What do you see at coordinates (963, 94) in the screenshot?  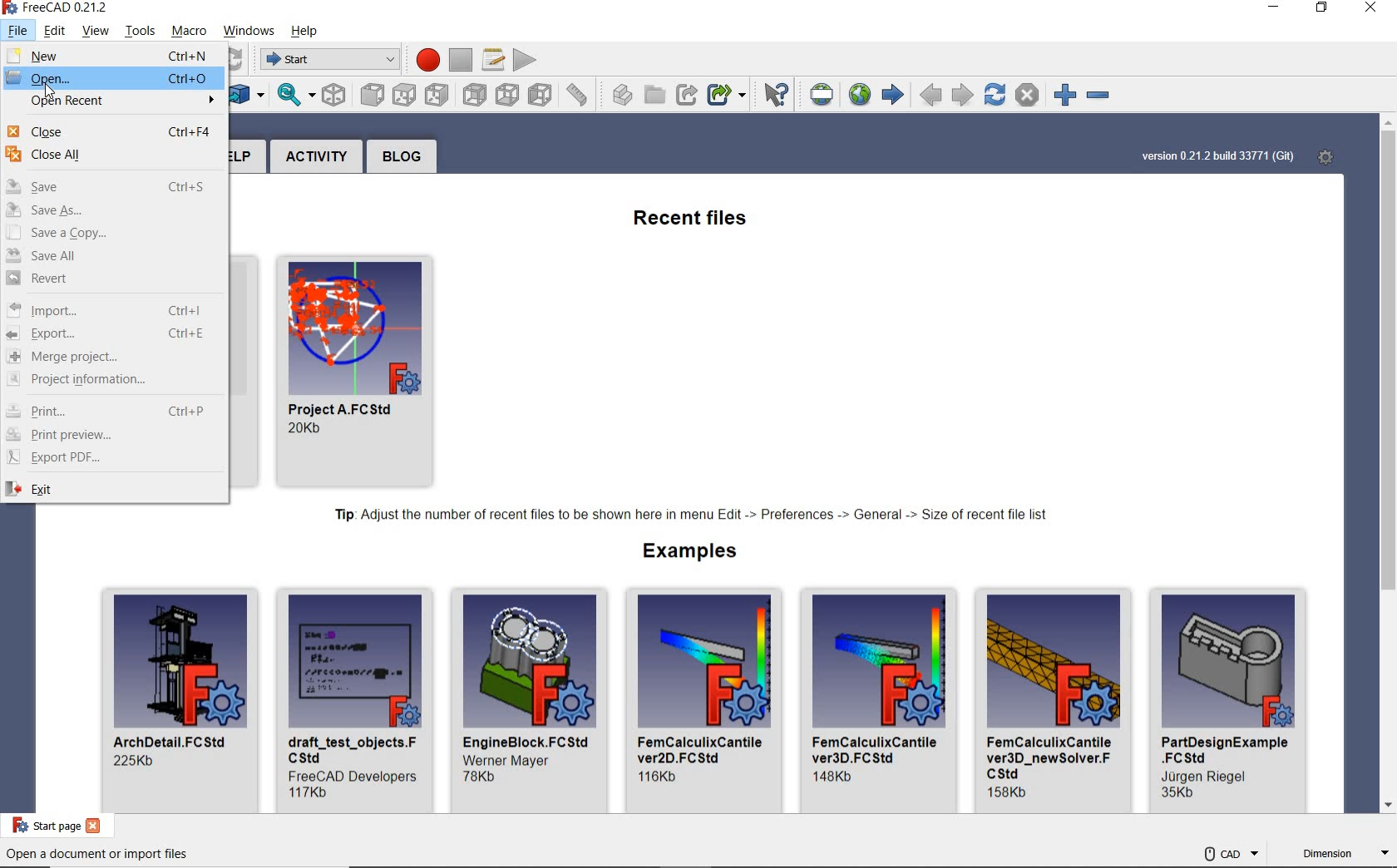 I see `NEXT PAGE` at bounding box center [963, 94].